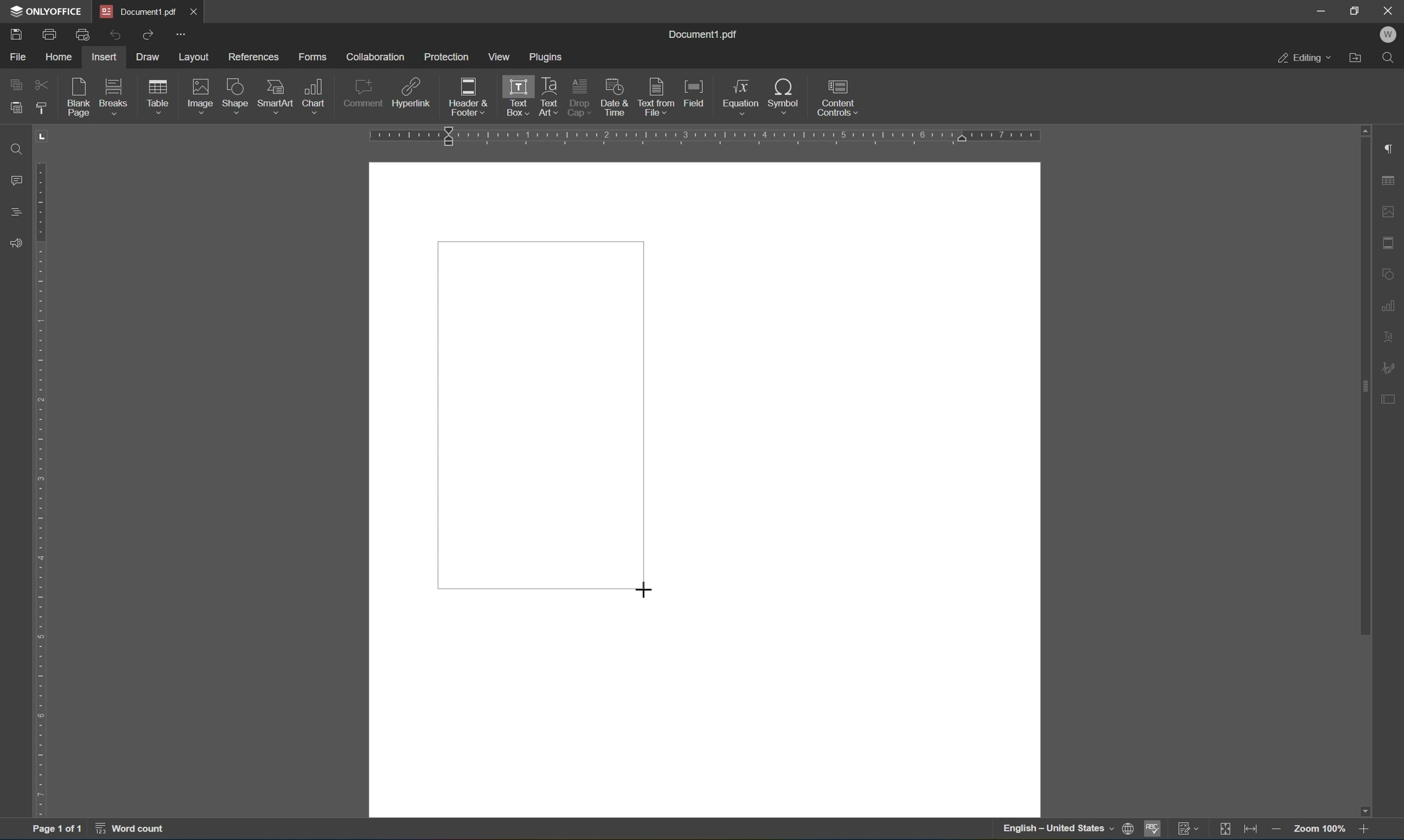 The height and width of the screenshot is (840, 1404). I want to click on Chart settings, so click(1390, 304).